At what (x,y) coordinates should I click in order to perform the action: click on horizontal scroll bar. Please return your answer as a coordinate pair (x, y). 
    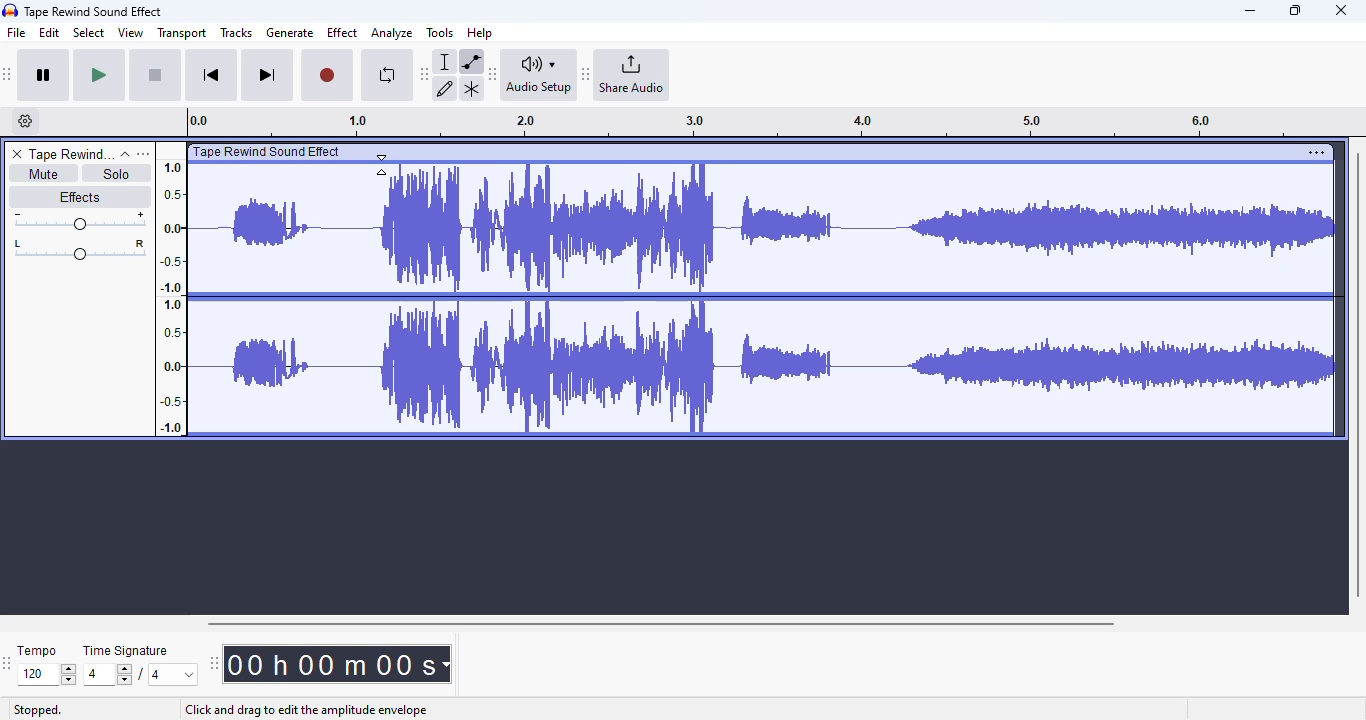
    Looking at the image, I should click on (660, 623).